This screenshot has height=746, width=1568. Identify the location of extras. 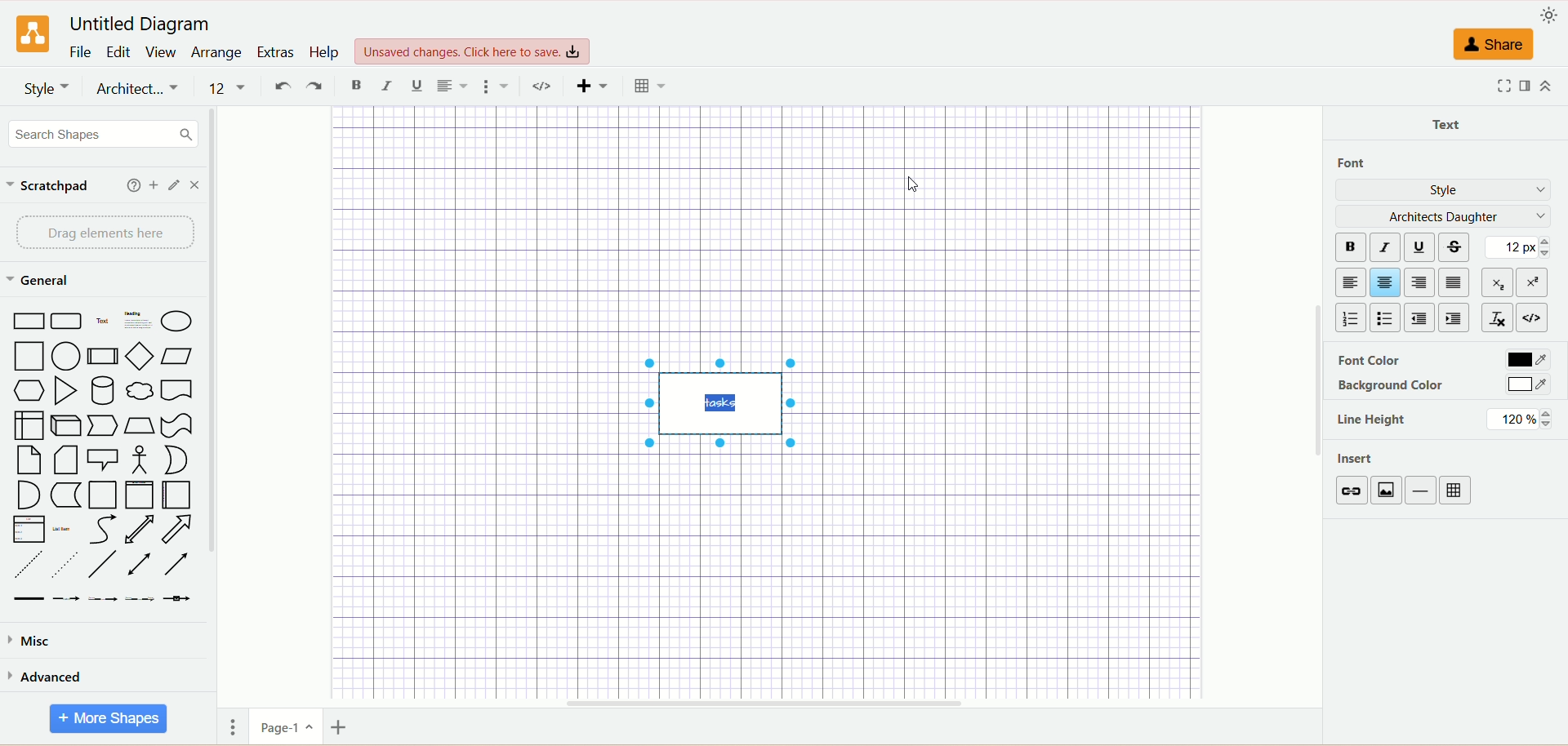
(275, 52).